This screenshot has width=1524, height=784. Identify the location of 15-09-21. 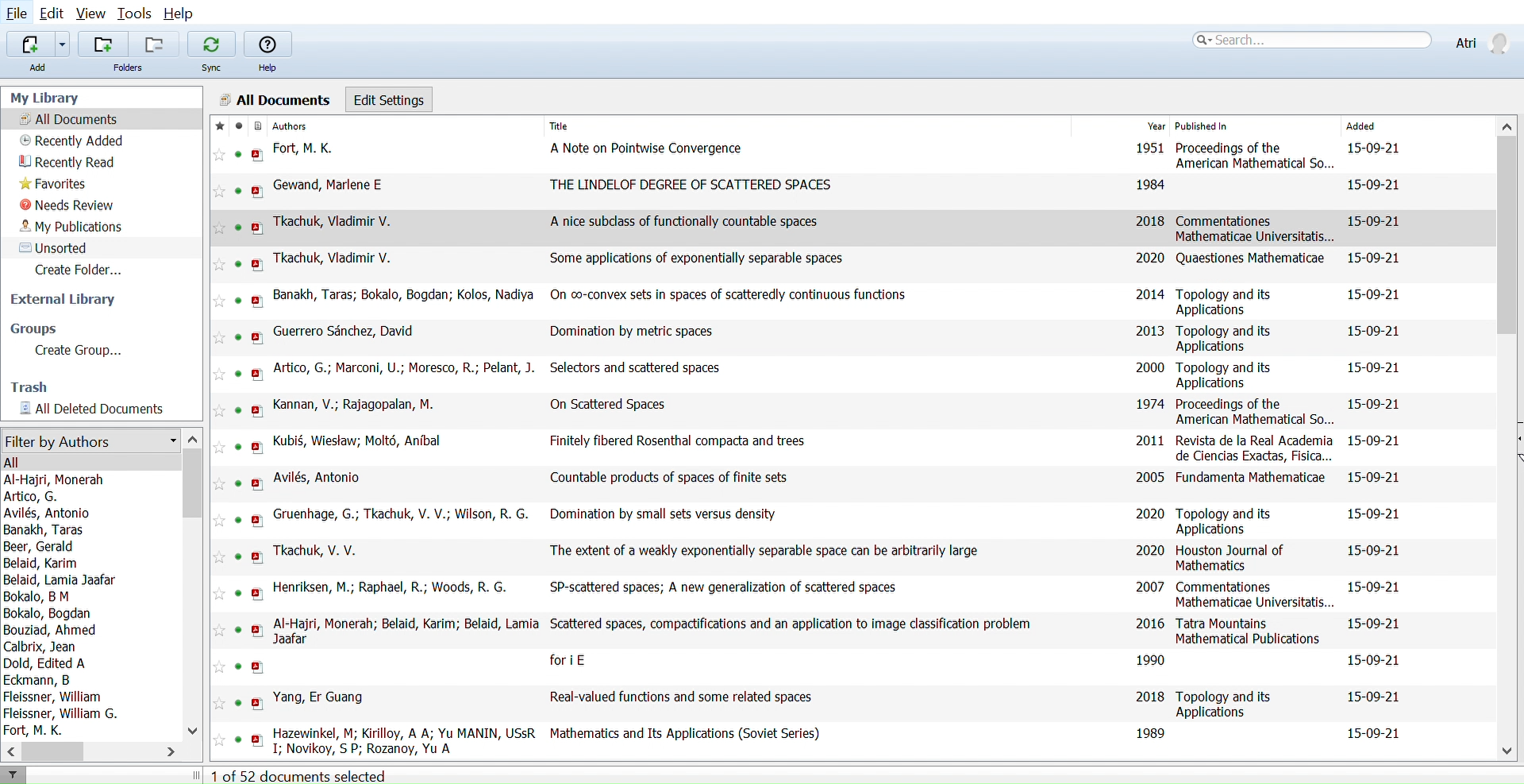
(1374, 513).